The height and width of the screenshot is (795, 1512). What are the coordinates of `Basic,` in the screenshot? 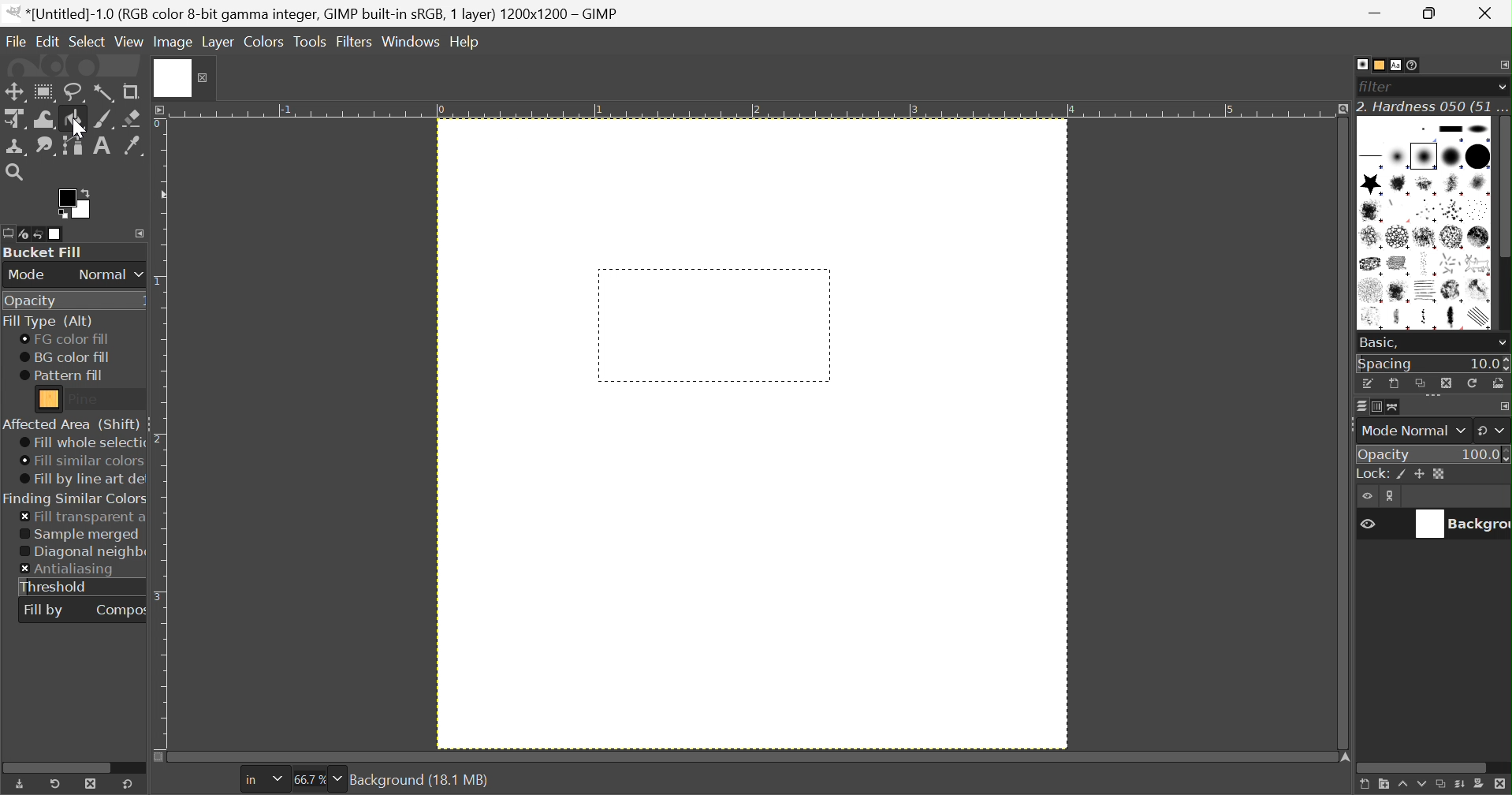 It's located at (1379, 342).